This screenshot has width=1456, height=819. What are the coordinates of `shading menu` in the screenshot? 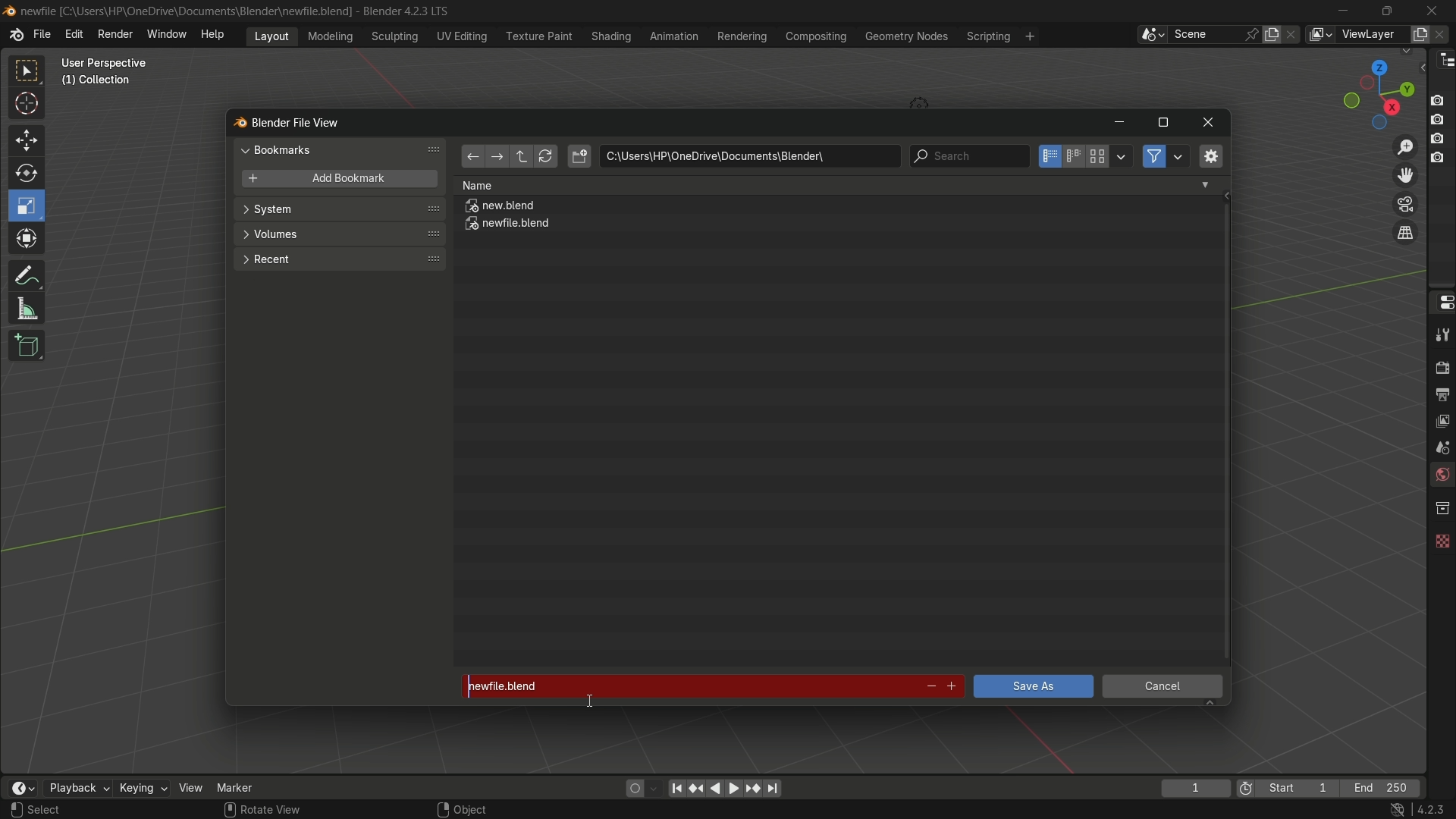 It's located at (609, 36).